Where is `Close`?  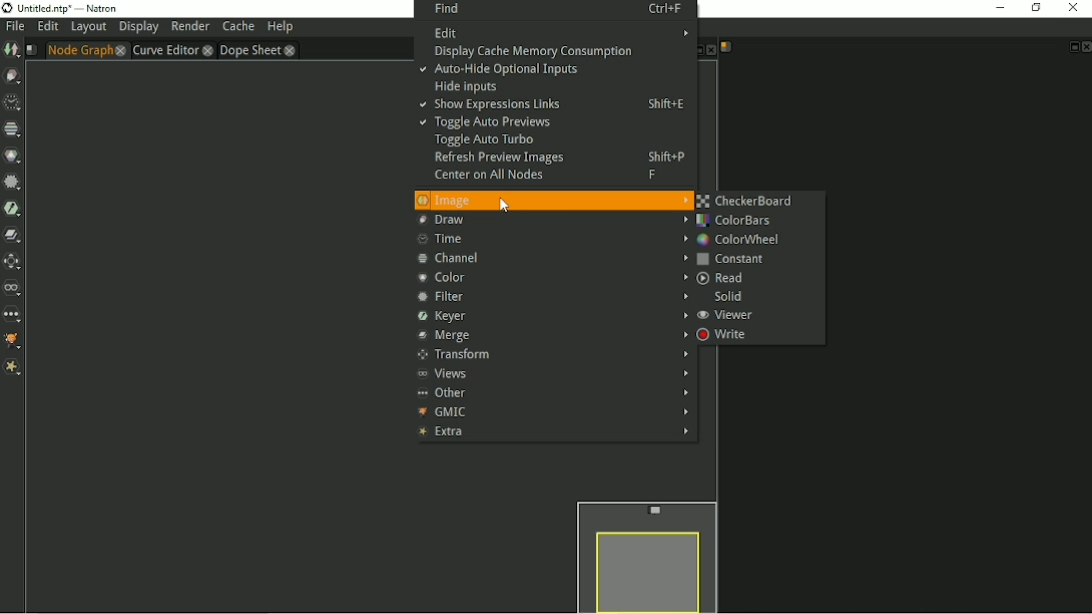 Close is located at coordinates (1085, 47).